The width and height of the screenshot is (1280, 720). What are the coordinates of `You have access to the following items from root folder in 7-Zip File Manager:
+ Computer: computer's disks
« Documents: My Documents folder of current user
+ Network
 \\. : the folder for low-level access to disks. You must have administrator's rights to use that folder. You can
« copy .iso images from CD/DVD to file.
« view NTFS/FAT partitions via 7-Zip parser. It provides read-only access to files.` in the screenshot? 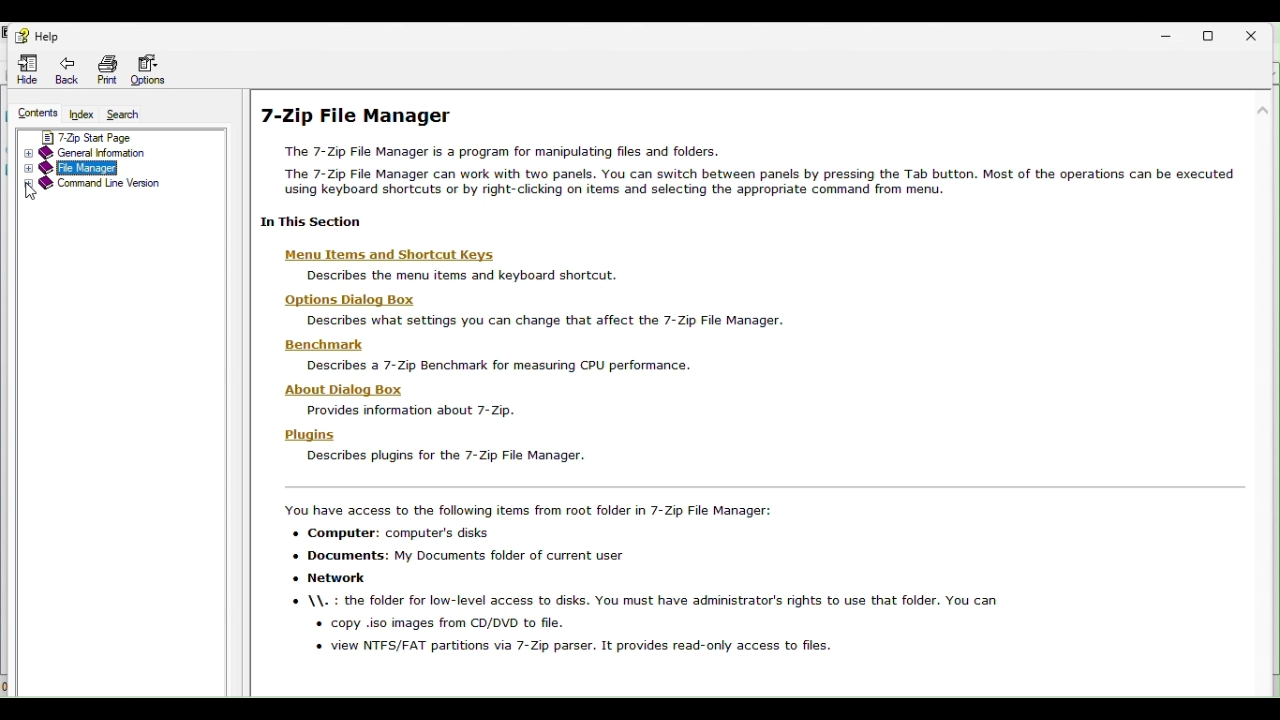 It's located at (637, 581).